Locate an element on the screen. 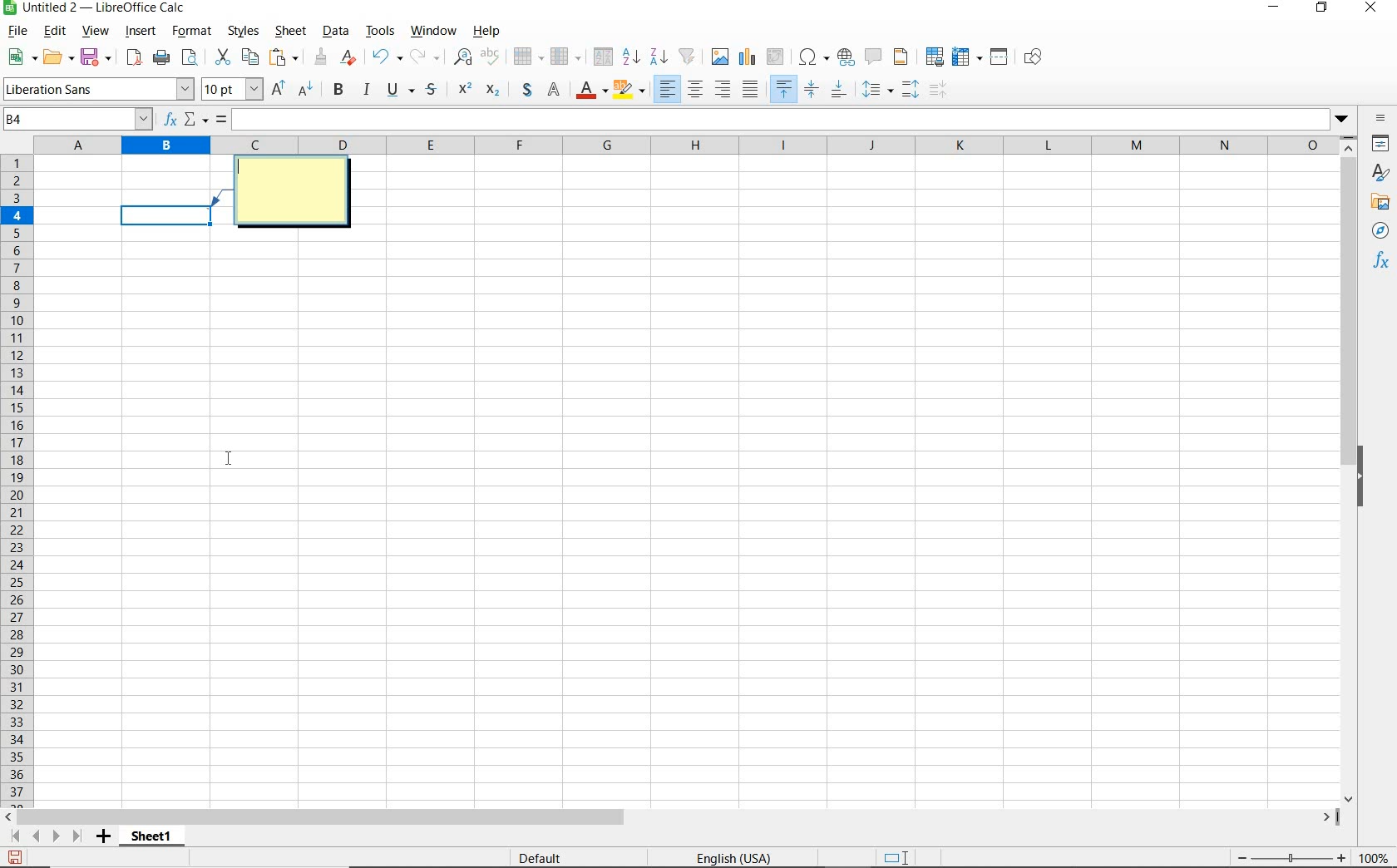  add sheet is located at coordinates (102, 837).